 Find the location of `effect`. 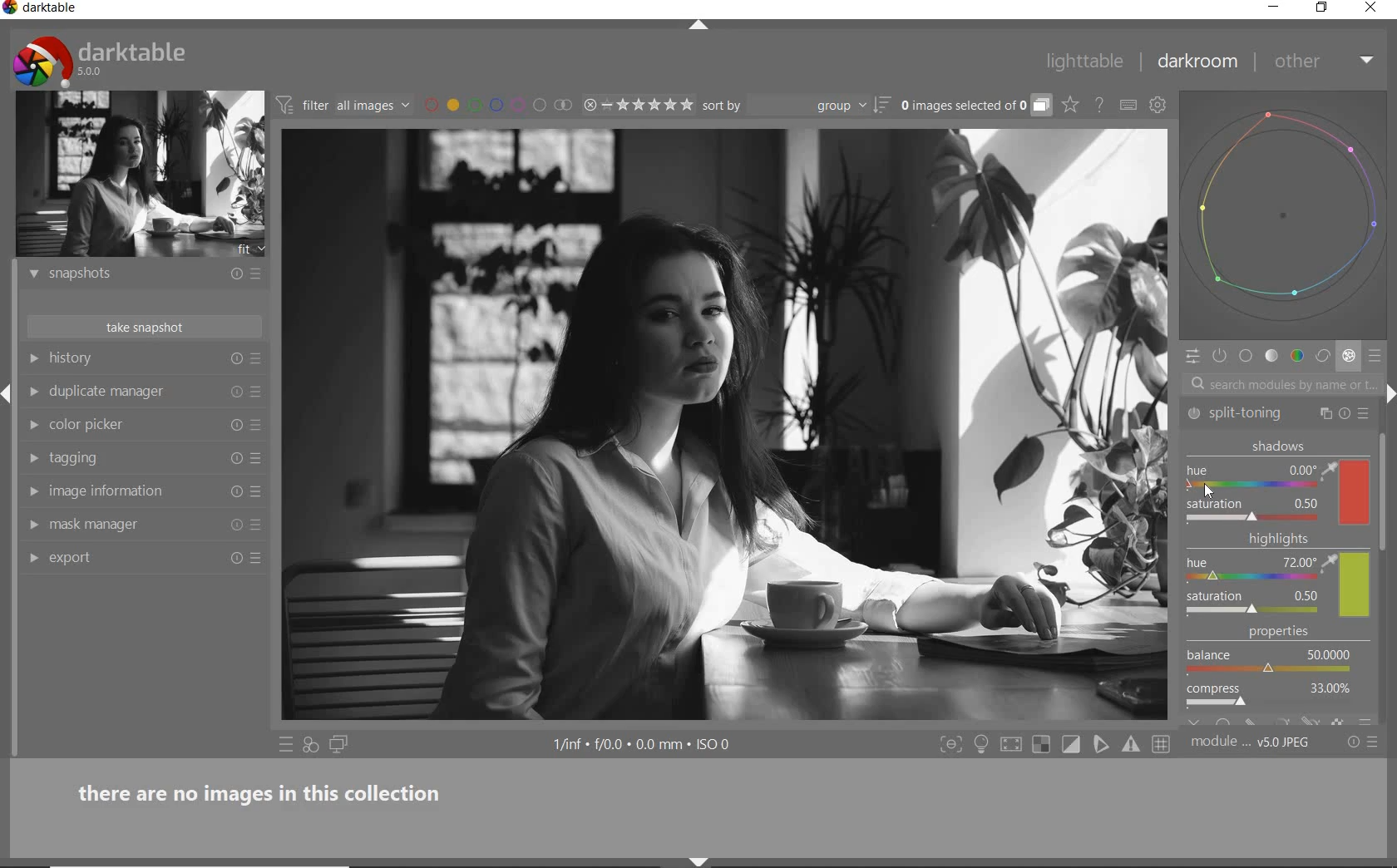

effect is located at coordinates (1349, 358).